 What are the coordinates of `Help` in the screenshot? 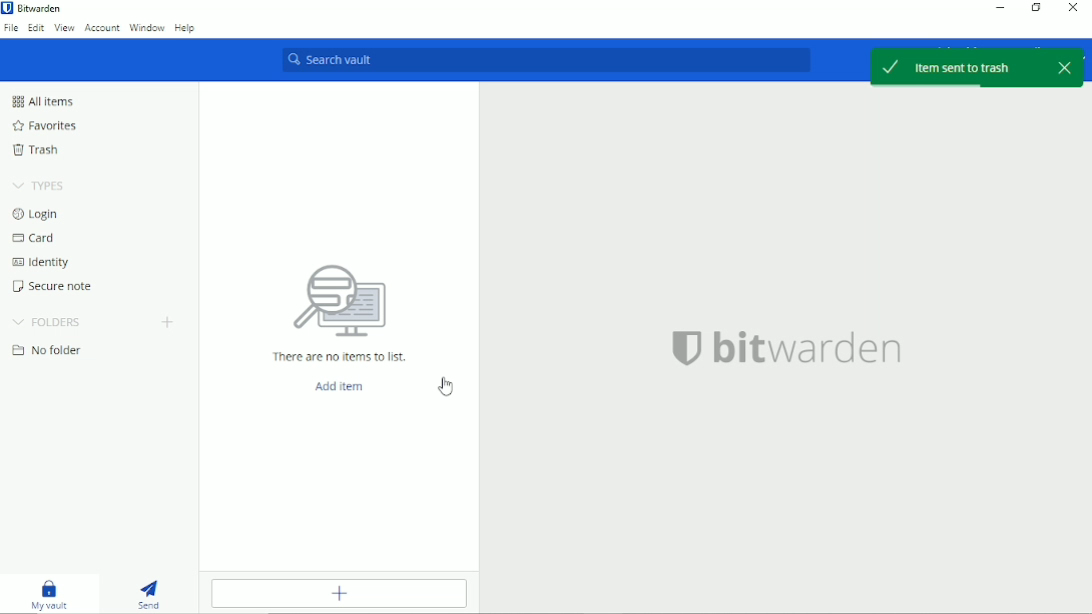 It's located at (186, 27).